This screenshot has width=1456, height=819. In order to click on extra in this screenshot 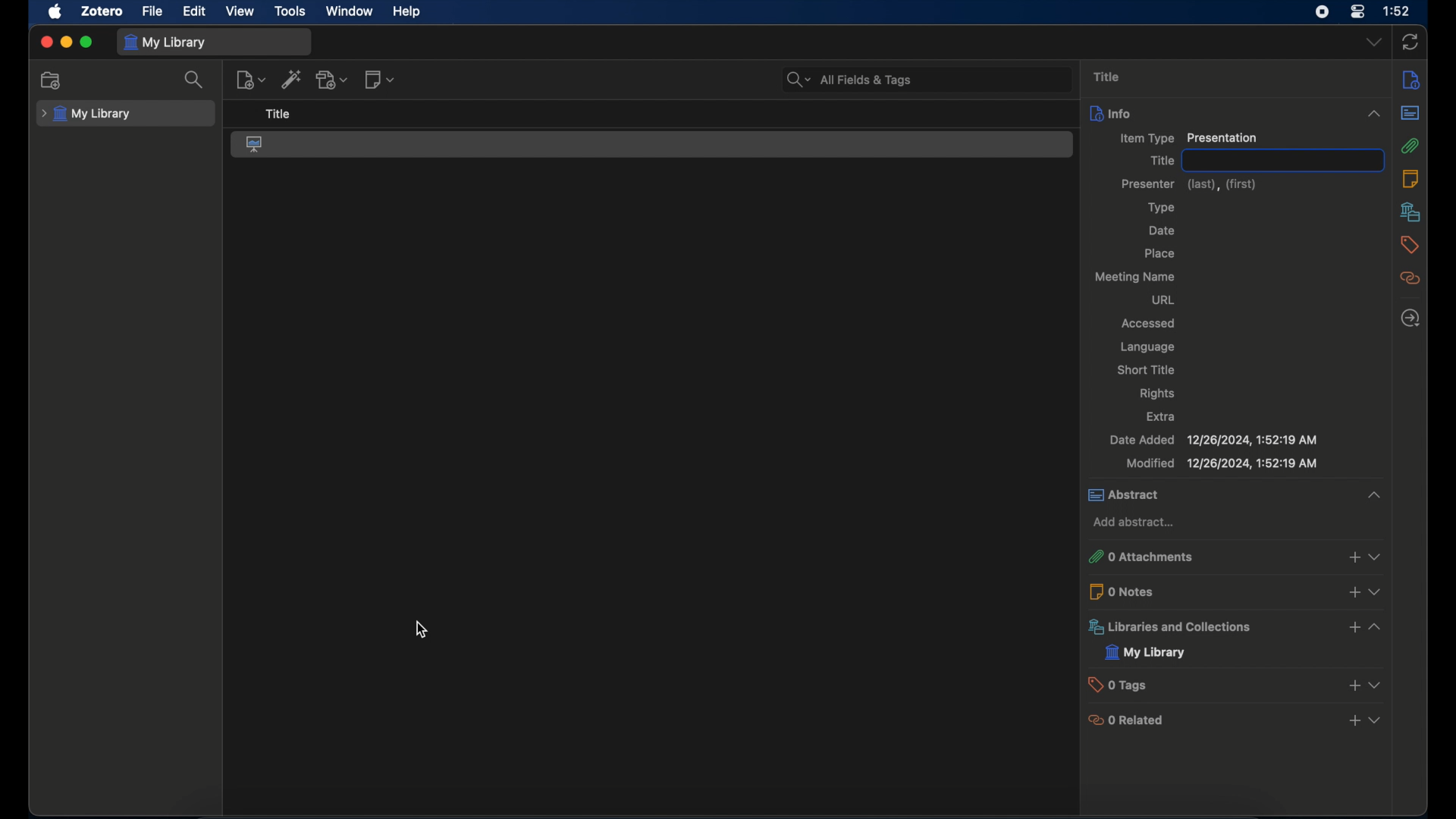, I will do `click(1162, 416)`.